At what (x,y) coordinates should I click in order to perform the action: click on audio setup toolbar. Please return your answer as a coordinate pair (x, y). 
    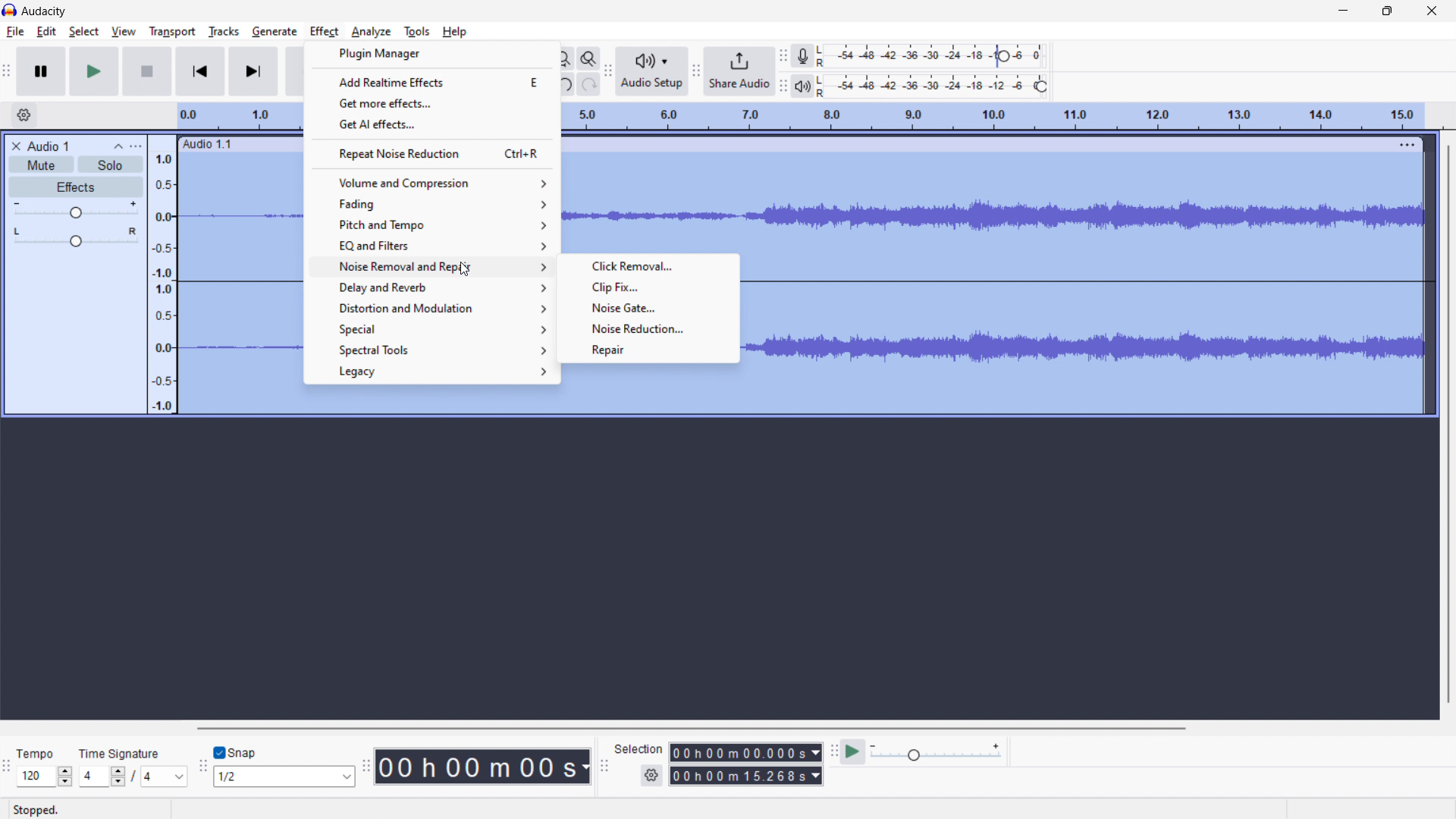
    Looking at the image, I should click on (607, 71).